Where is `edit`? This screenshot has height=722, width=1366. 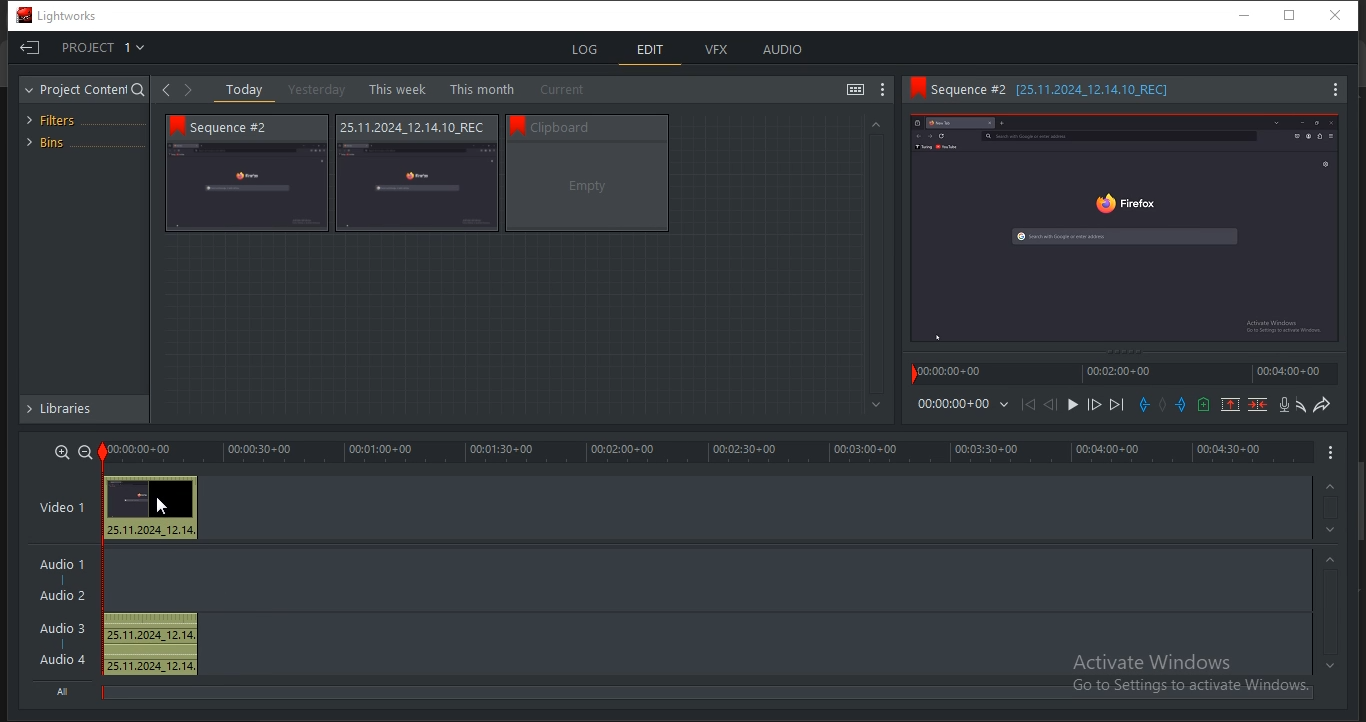 edit is located at coordinates (653, 48).